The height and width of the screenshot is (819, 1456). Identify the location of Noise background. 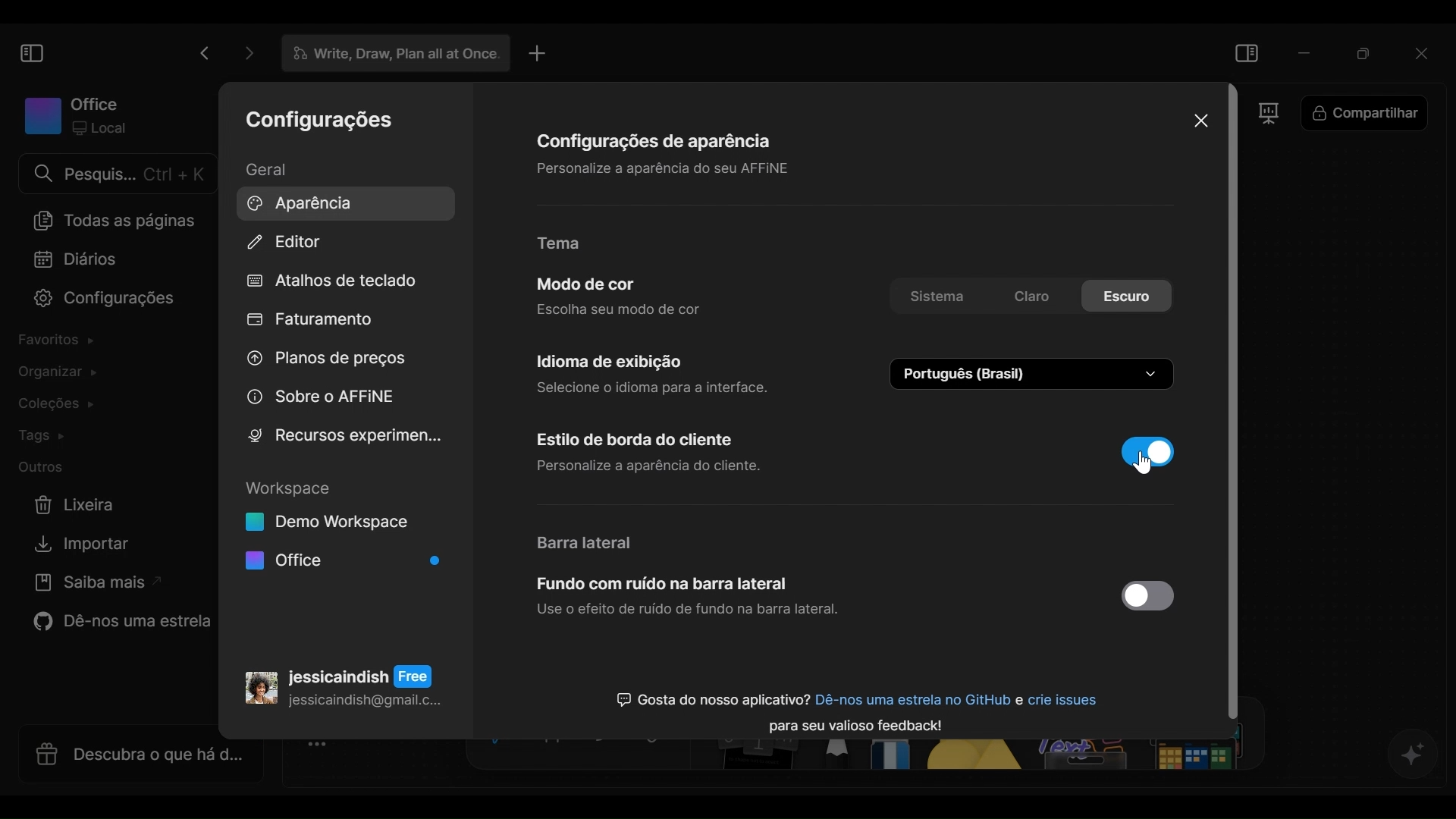
(688, 599).